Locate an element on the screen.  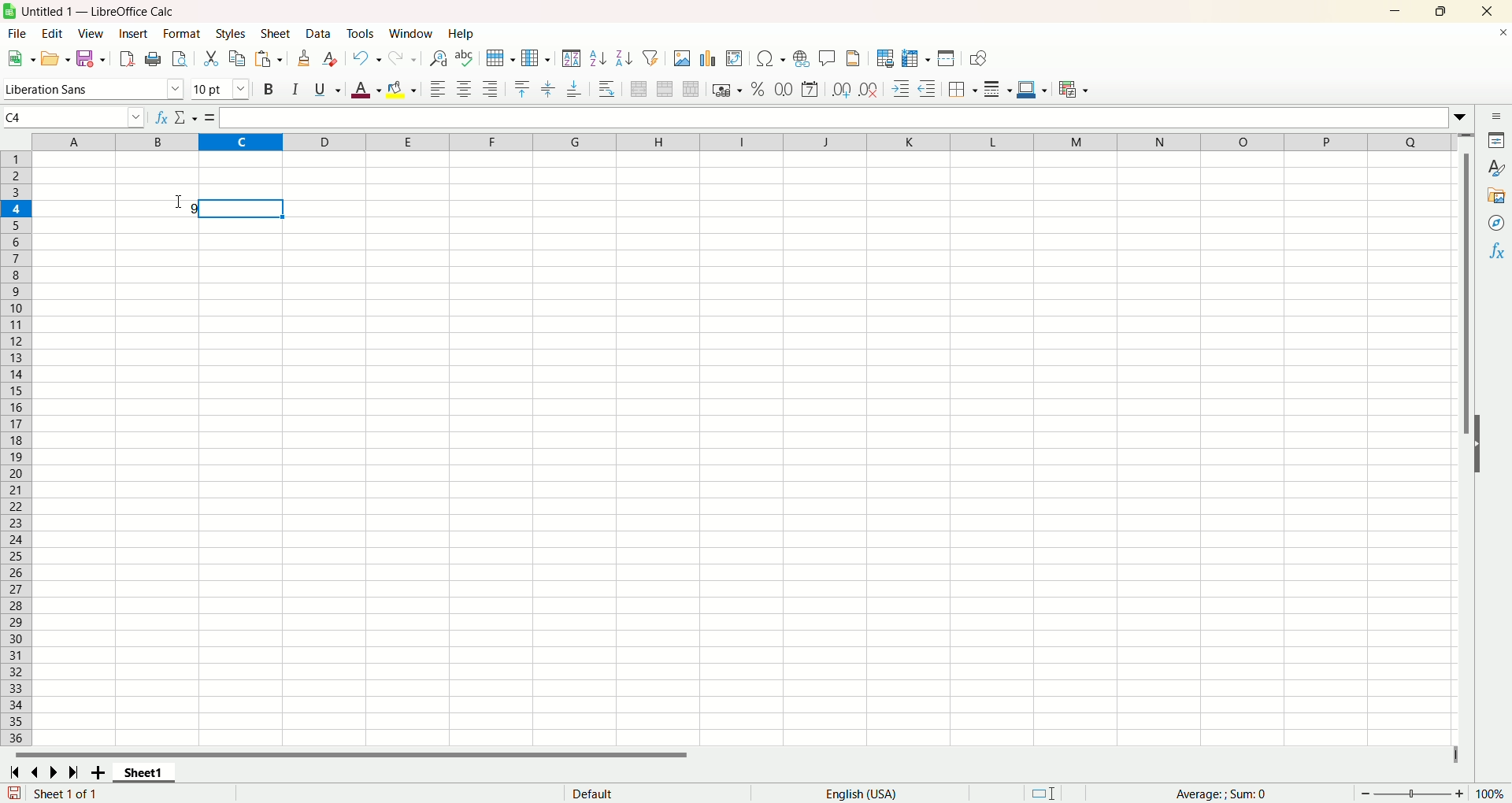
previous sheet is located at coordinates (38, 772).